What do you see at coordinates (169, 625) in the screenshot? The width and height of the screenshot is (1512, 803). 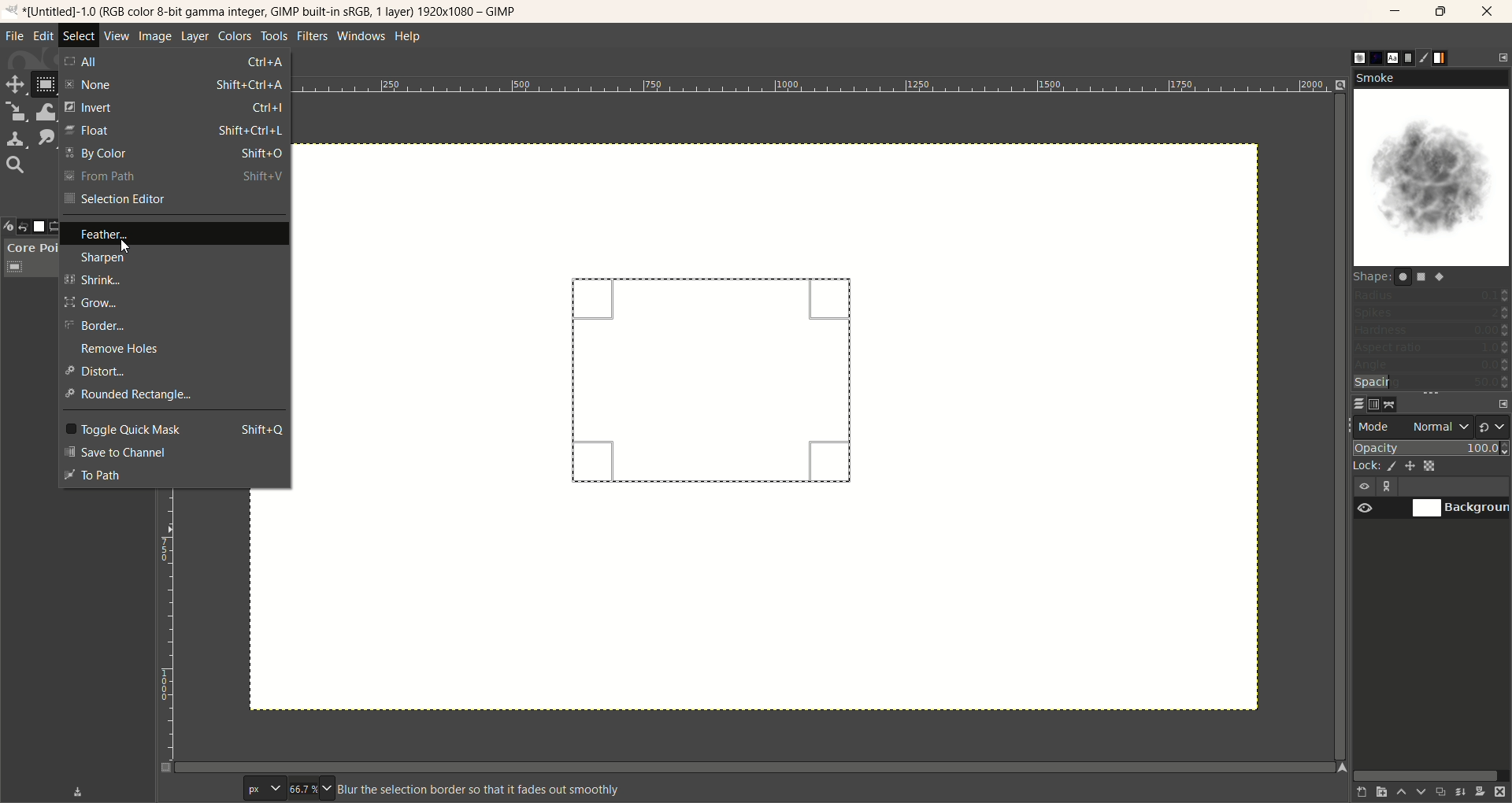 I see `scale bar` at bounding box center [169, 625].